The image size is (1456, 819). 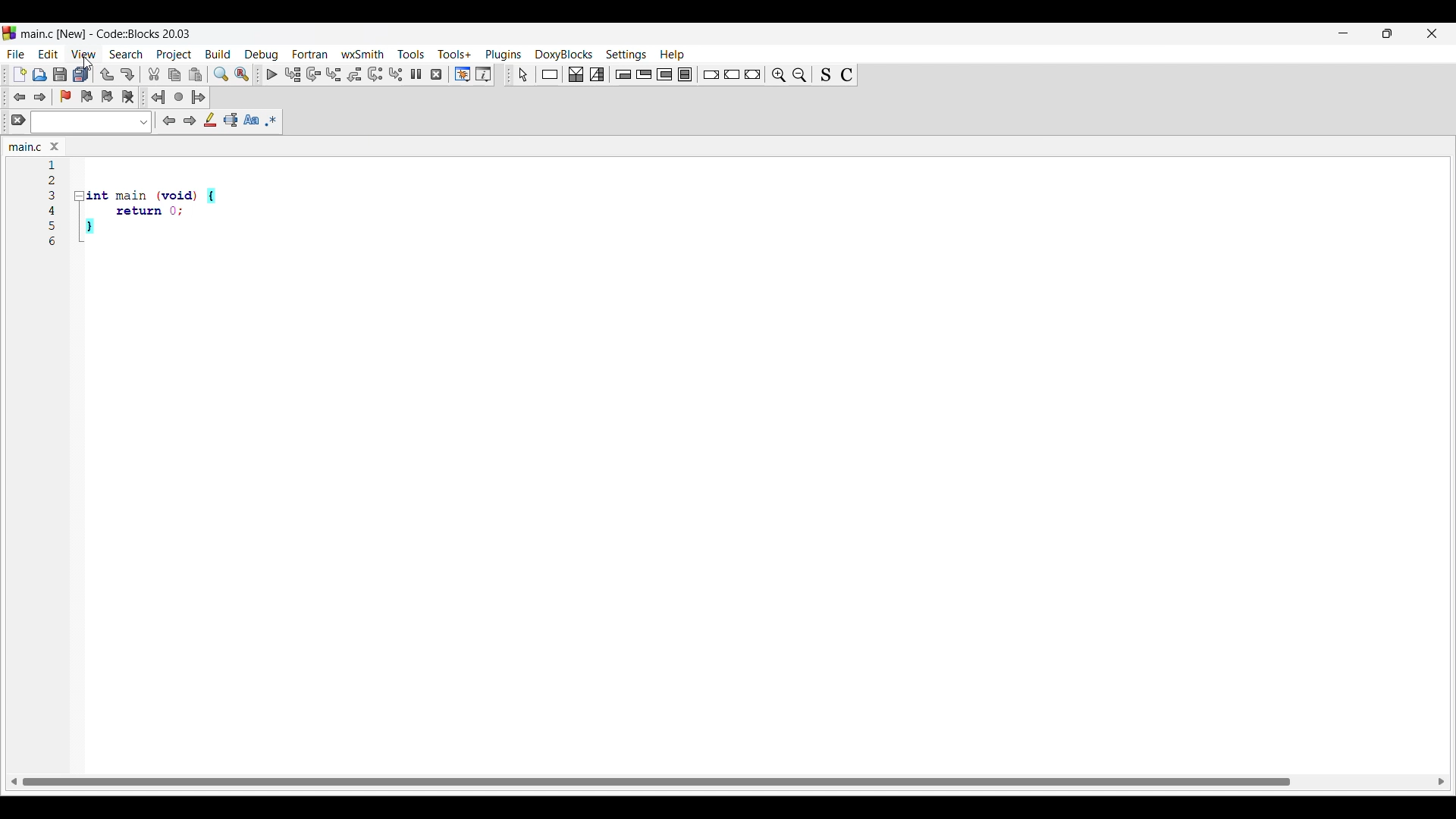 What do you see at coordinates (334, 74) in the screenshot?
I see `Step into` at bounding box center [334, 74].